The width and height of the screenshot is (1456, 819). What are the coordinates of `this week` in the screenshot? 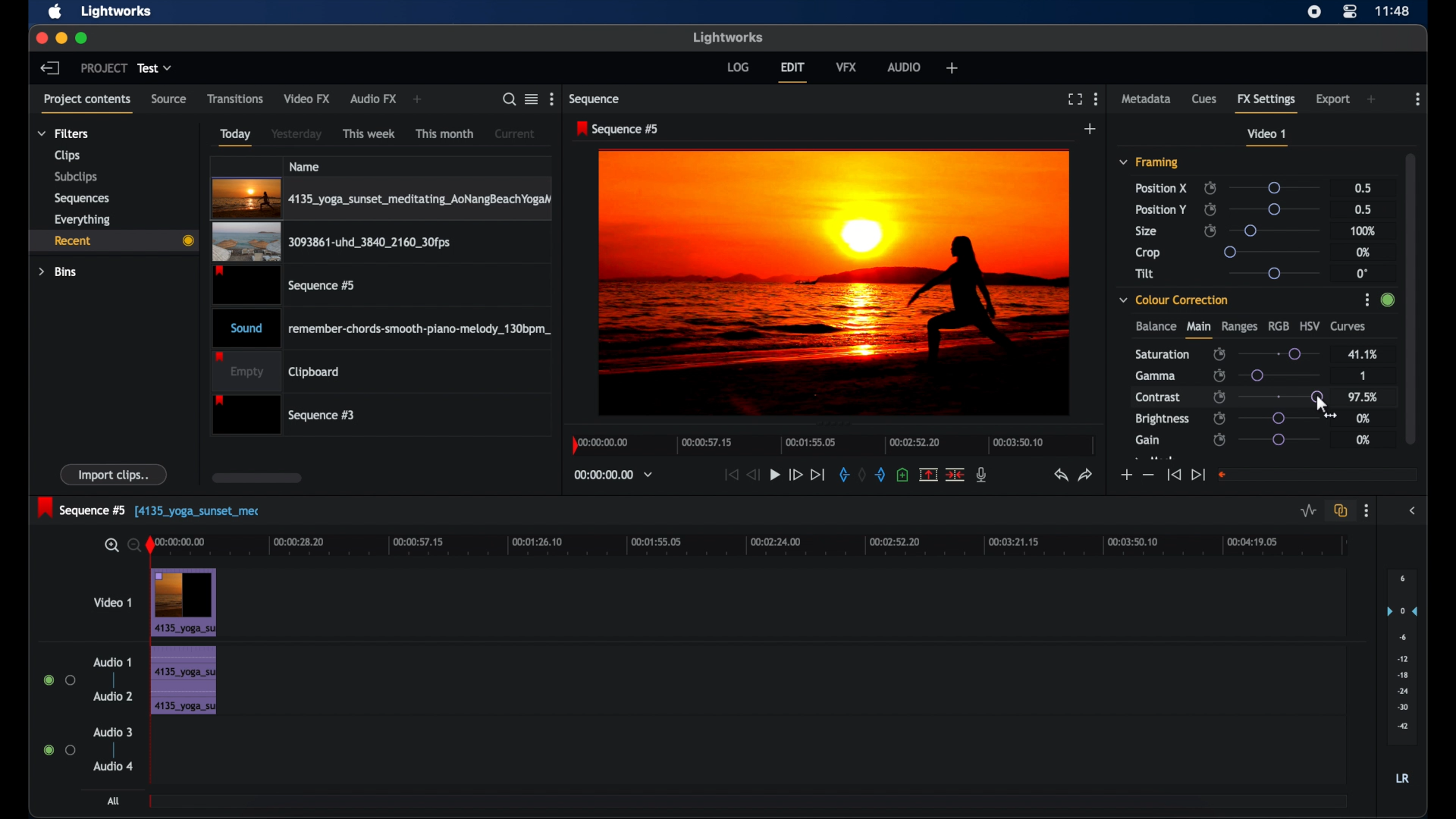 It's located at (370, 133).